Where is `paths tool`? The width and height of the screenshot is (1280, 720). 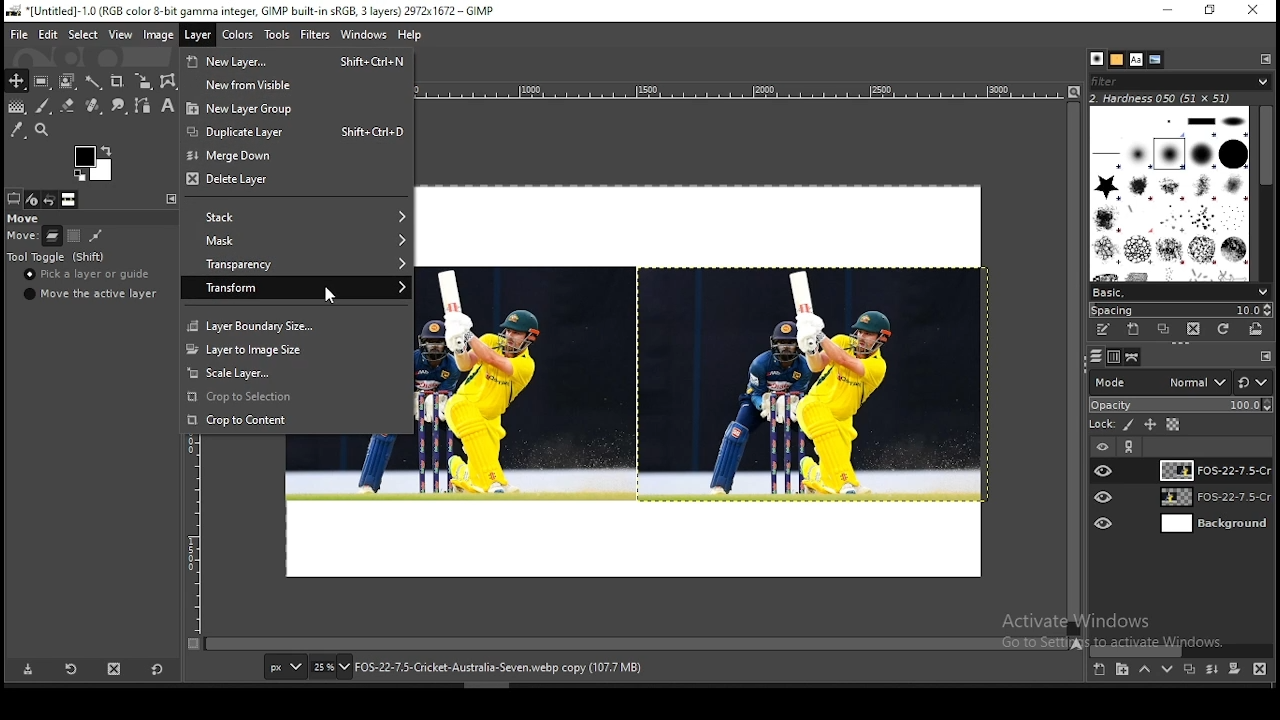 paths tool is located at coordinates (140, 107).